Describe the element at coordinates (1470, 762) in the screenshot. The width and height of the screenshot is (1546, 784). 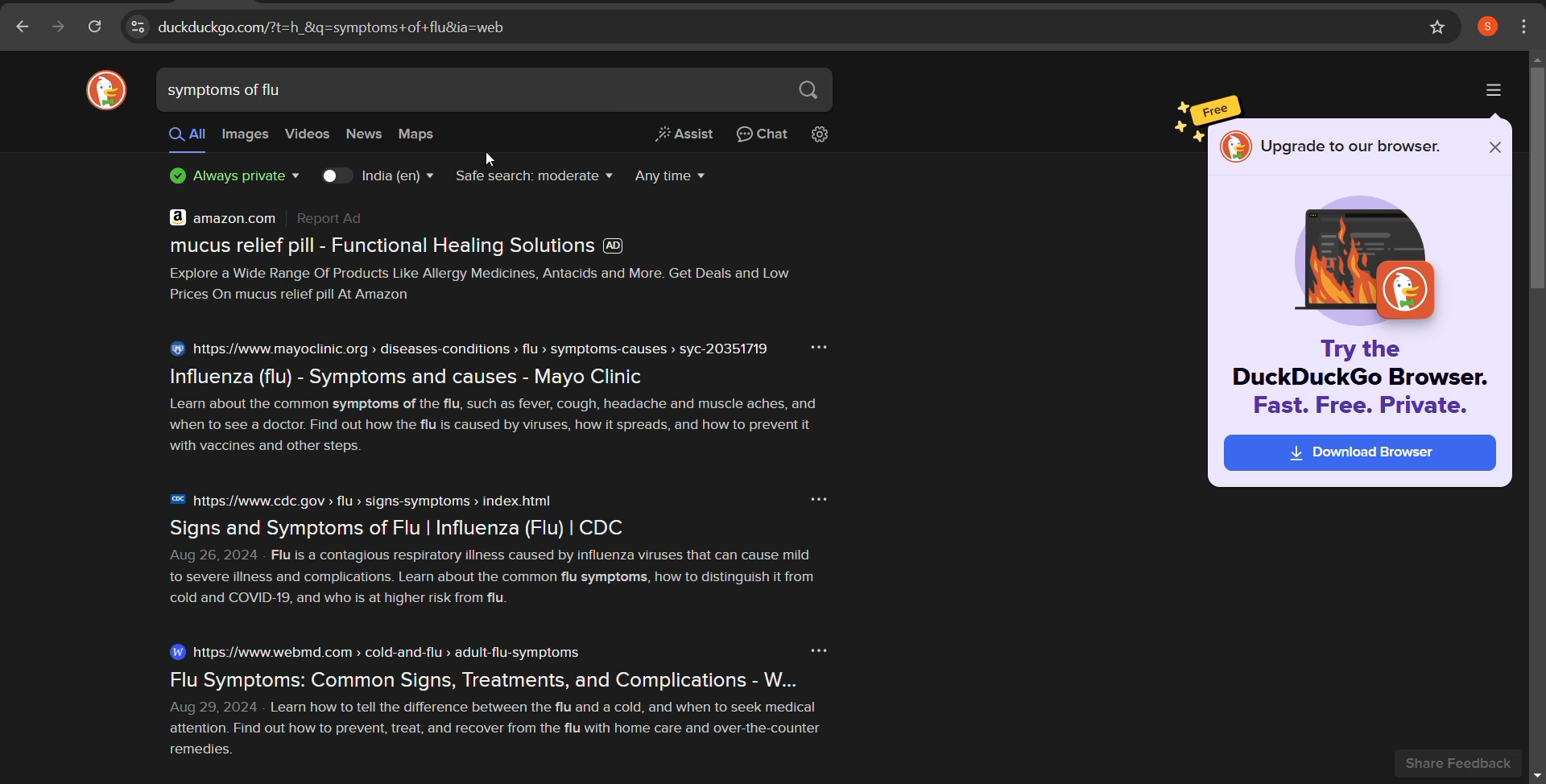
I see `share feedback` at that location.